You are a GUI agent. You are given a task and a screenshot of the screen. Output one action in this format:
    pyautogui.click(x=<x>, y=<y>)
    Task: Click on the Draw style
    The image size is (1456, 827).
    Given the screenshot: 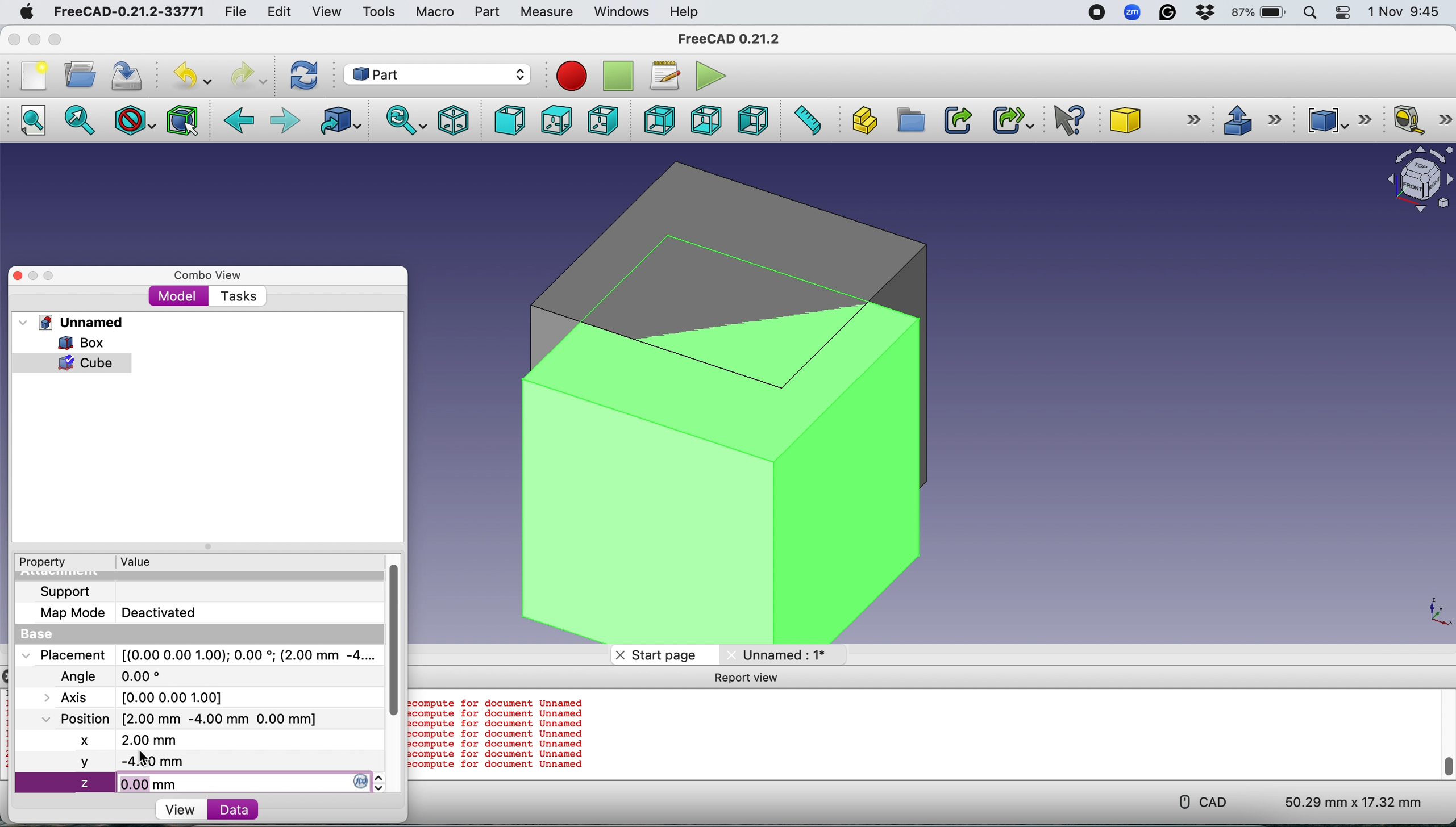 What is the action you would take?
    pyautogui.click(x=136, y=120)
    